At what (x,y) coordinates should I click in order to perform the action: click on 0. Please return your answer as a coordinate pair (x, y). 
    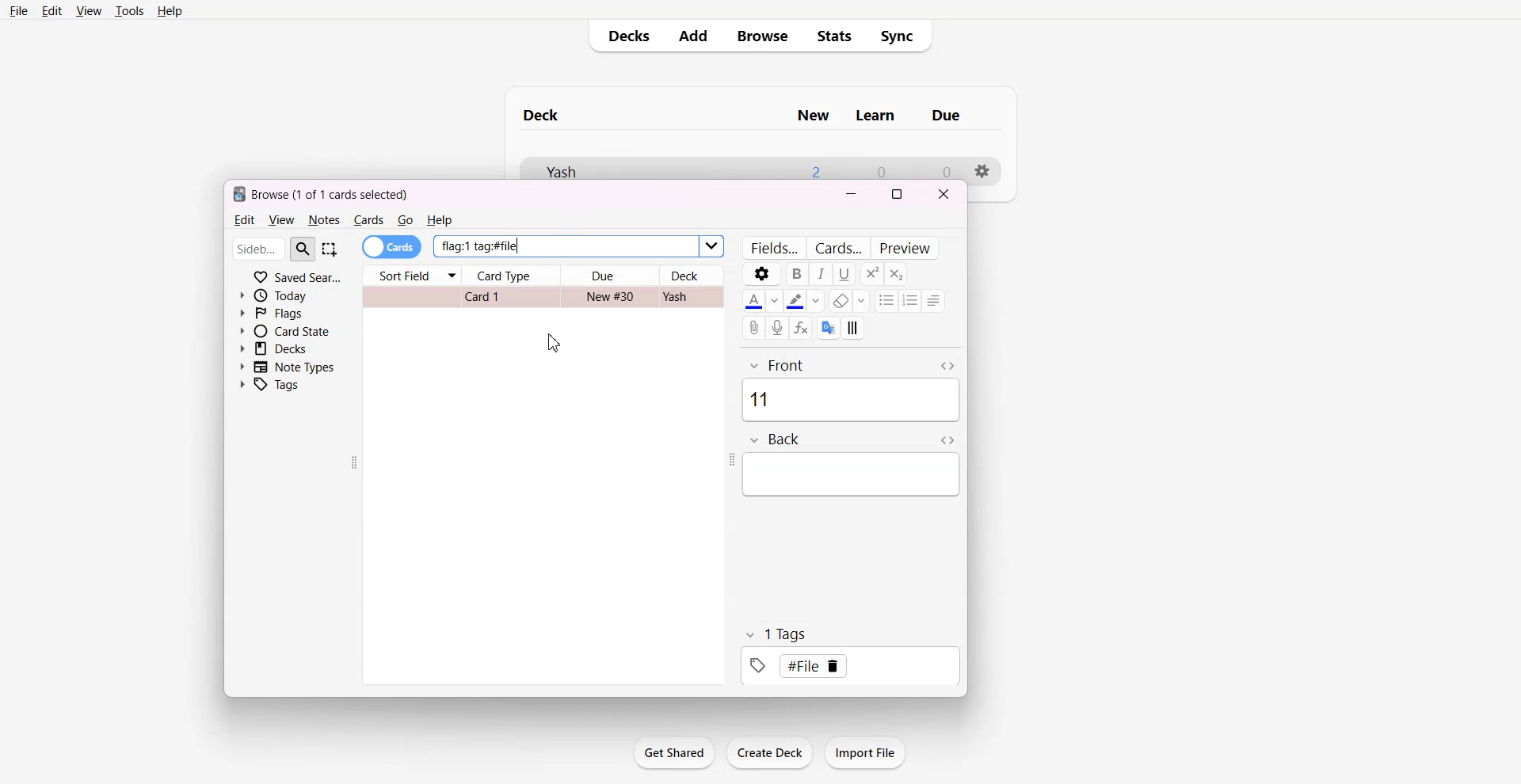
    Looking at the image, I should click on (940, 167).